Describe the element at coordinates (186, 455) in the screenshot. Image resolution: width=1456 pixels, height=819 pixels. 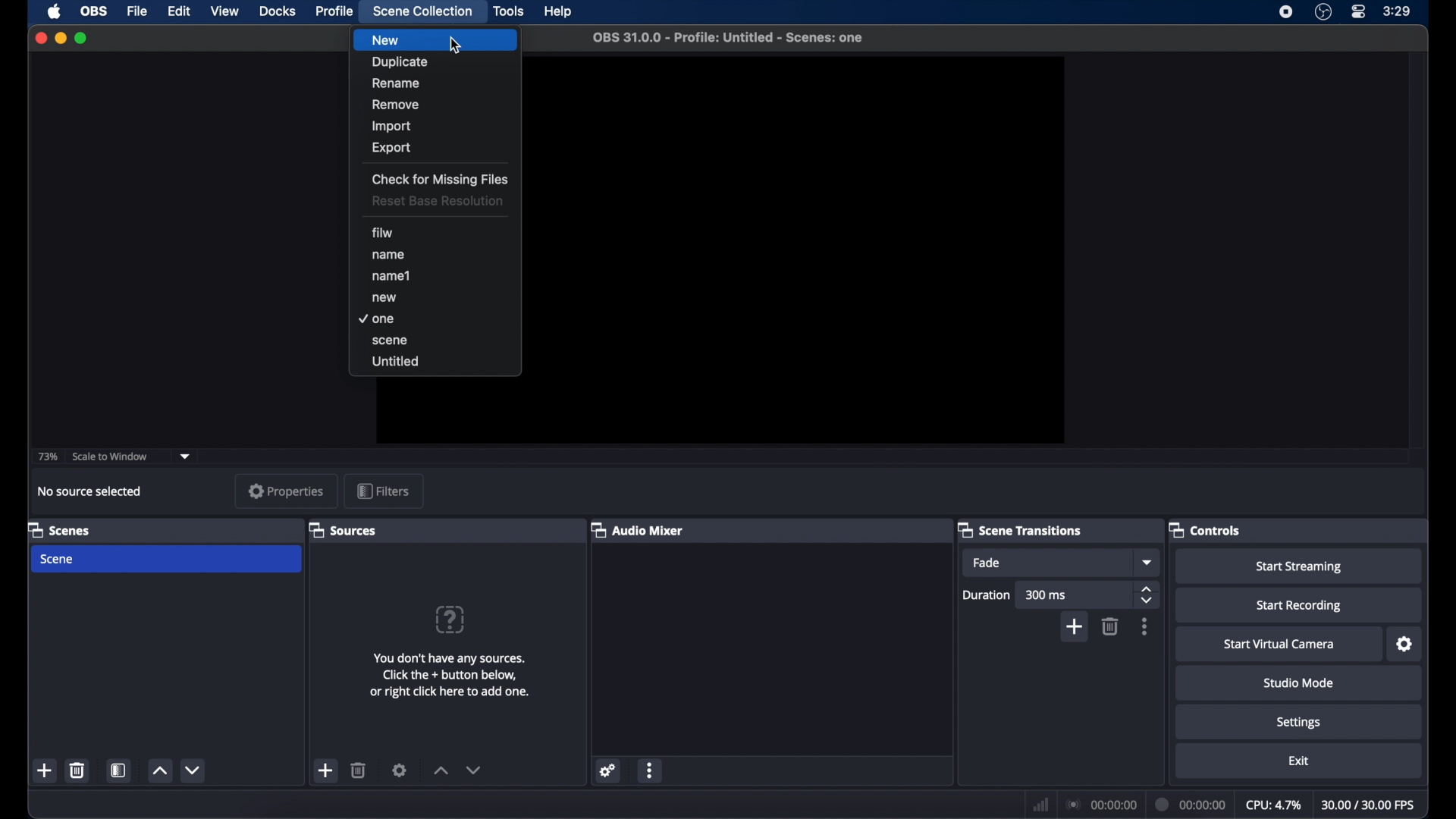
I see `dropdown` at that location.